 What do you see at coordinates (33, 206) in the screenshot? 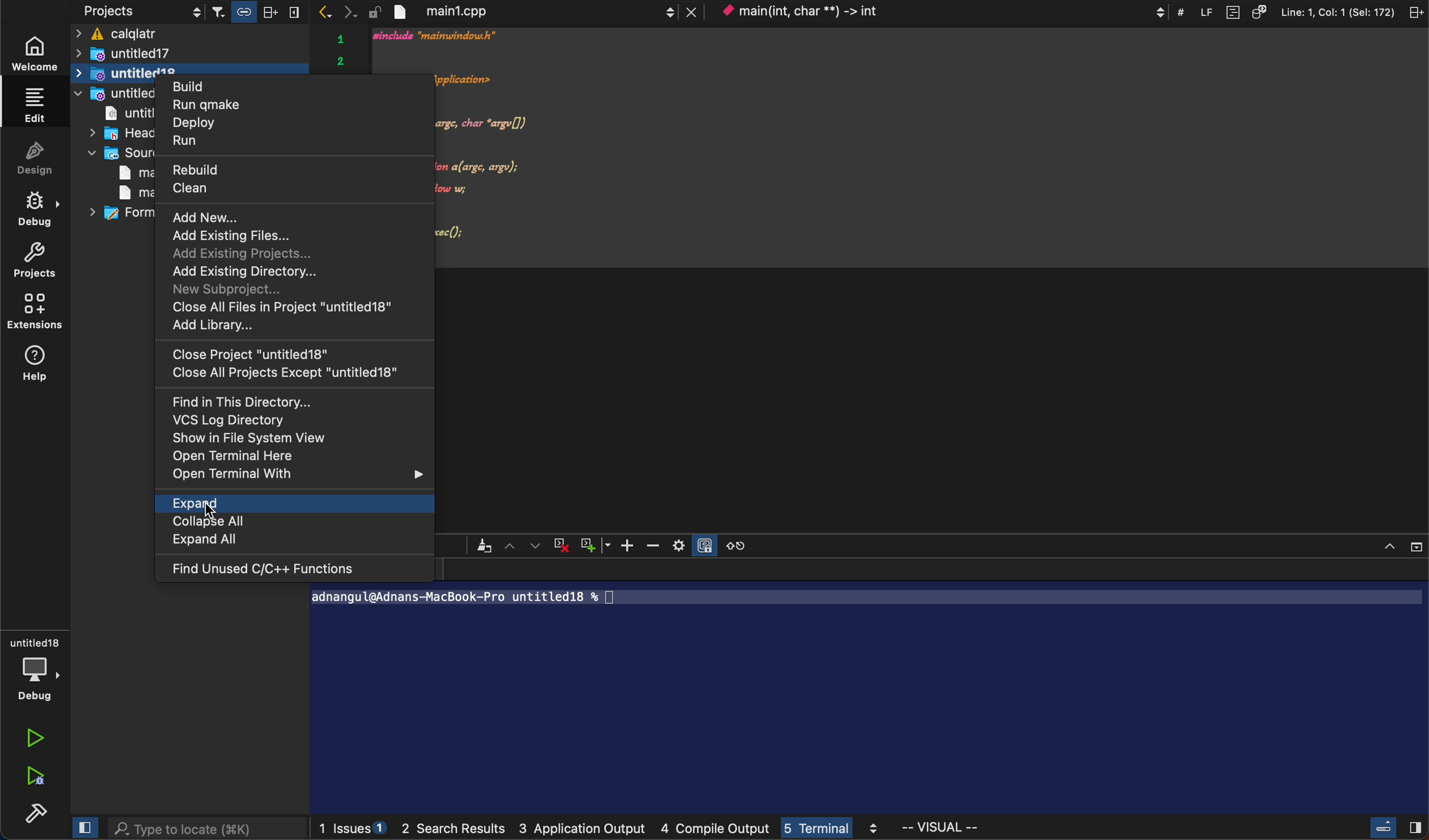
I see `debug` at bounding box center [33, 206].